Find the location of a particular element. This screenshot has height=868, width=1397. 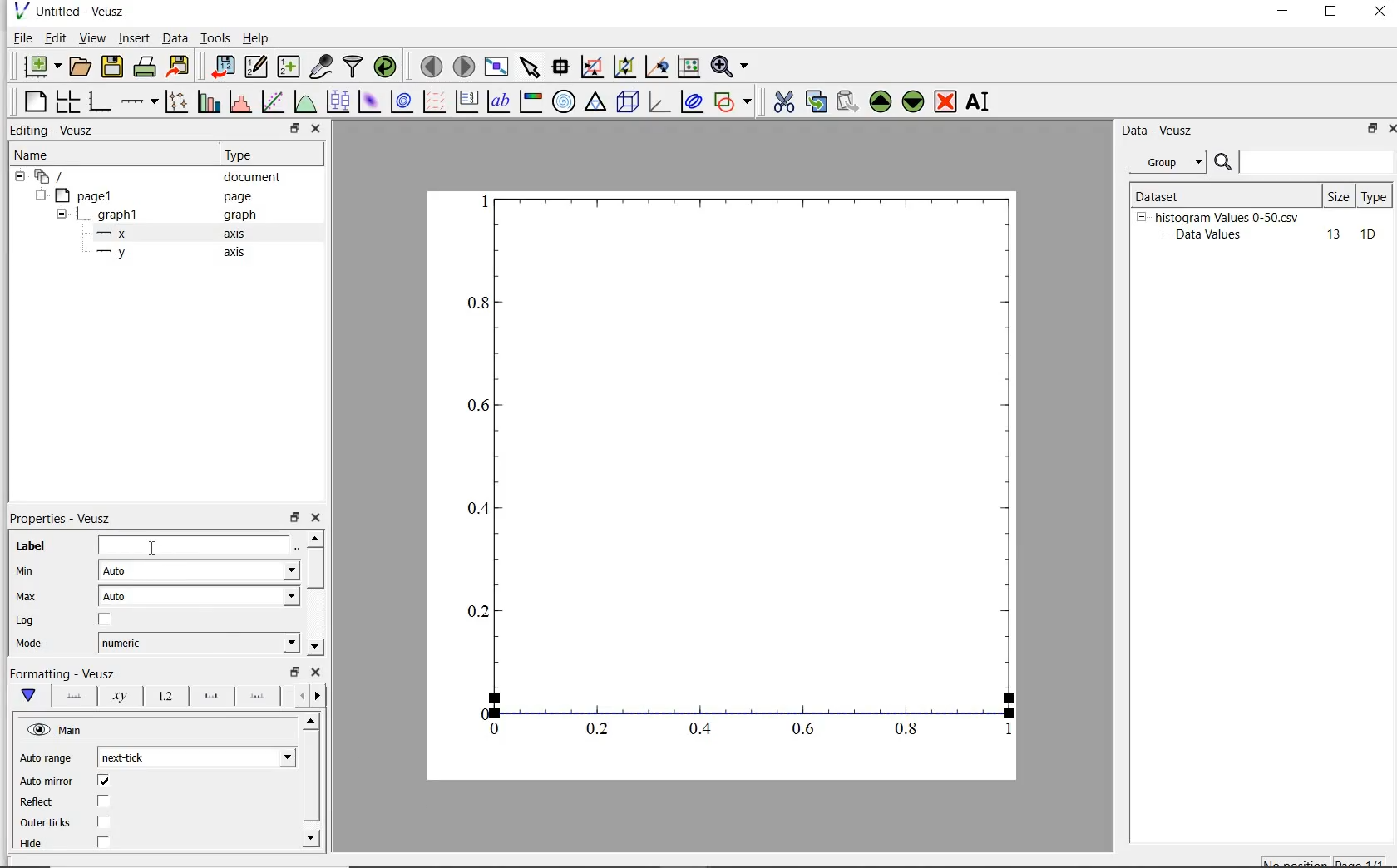

close is located at coordinates (1389, 131).